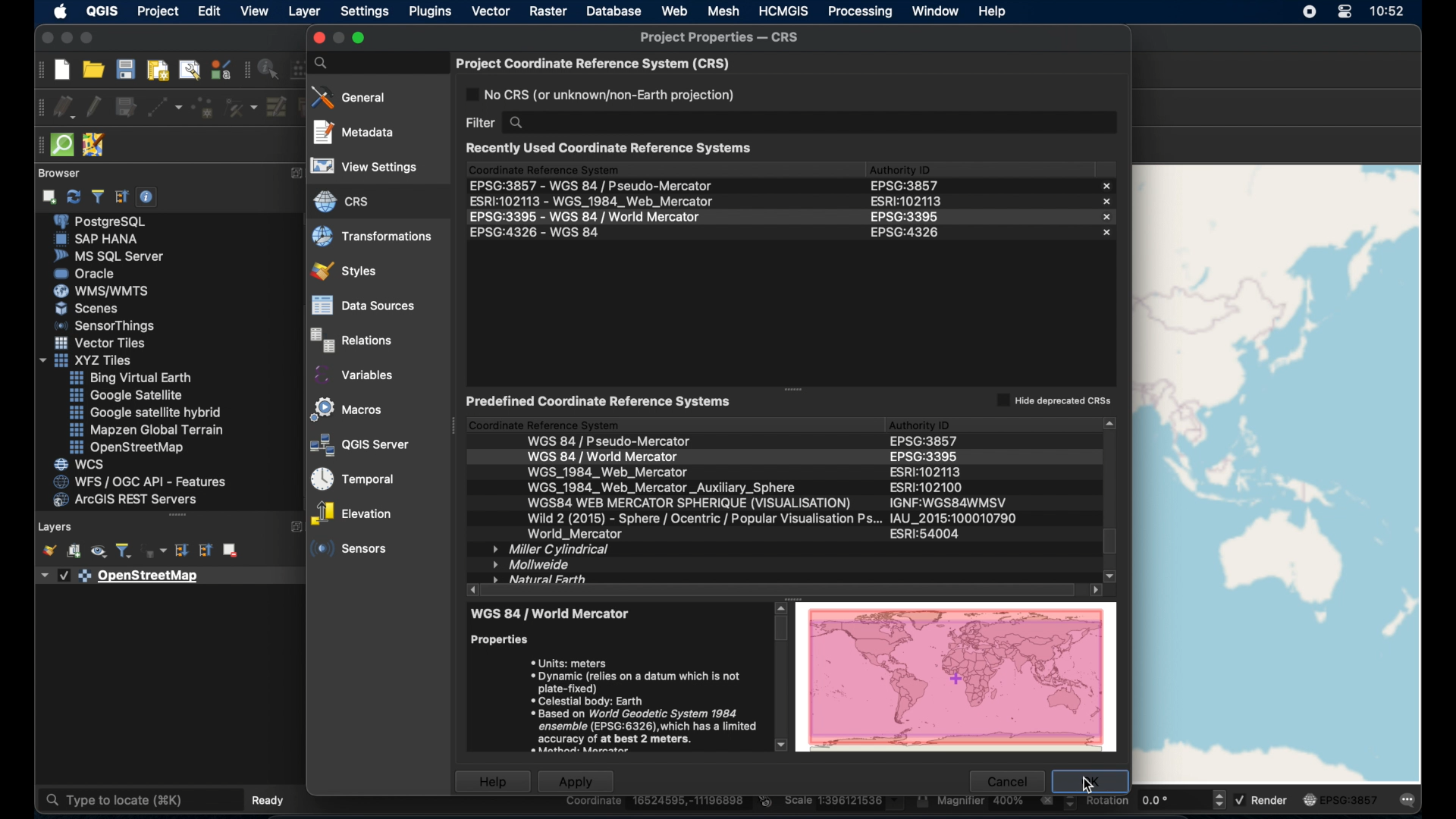 The height and width of the screenshot is (819, 1456). I want to click on EPSG: 3857, so click(1347, 801).